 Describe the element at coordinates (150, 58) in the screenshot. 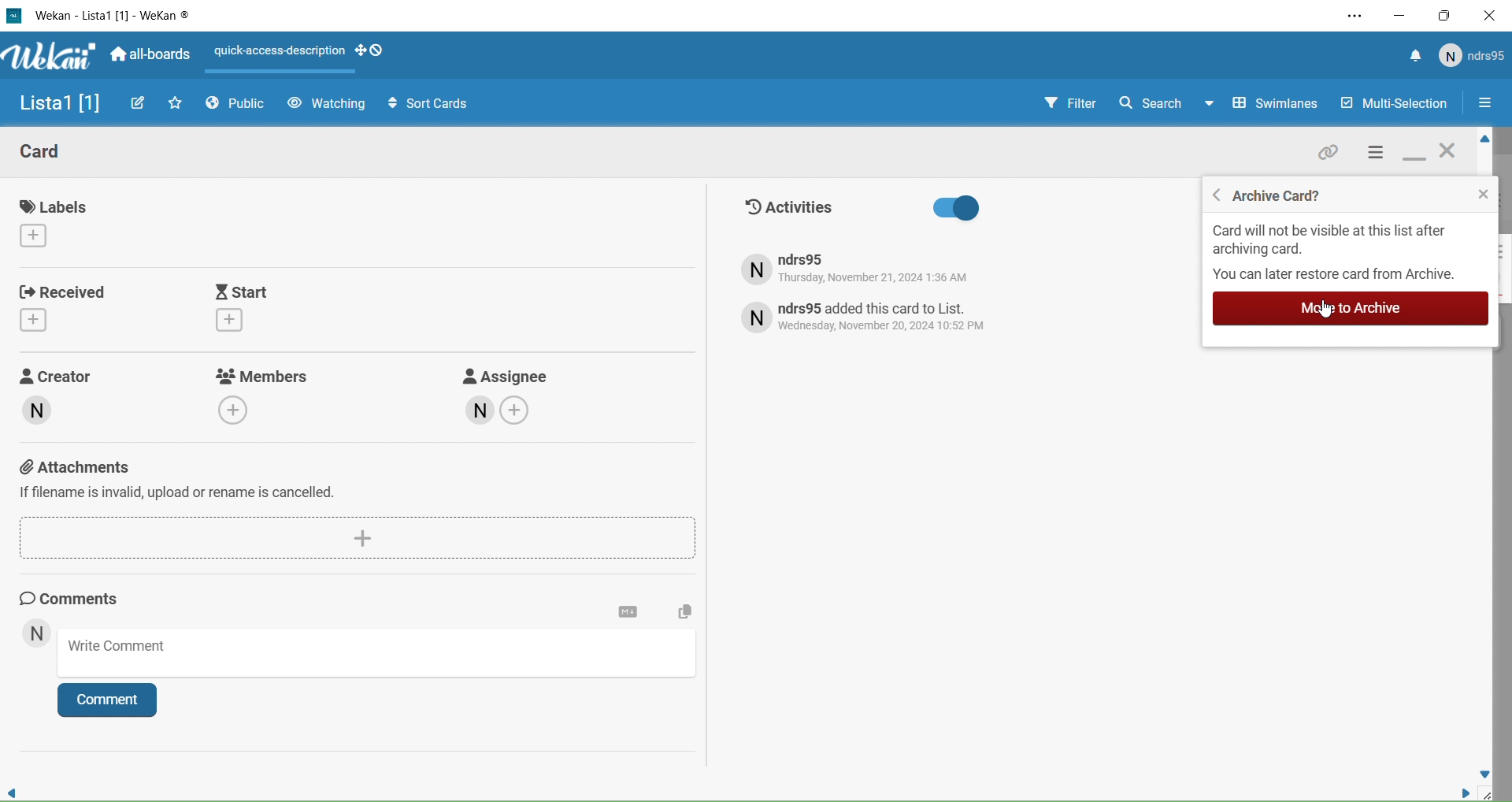

I see `Boards` at that location.